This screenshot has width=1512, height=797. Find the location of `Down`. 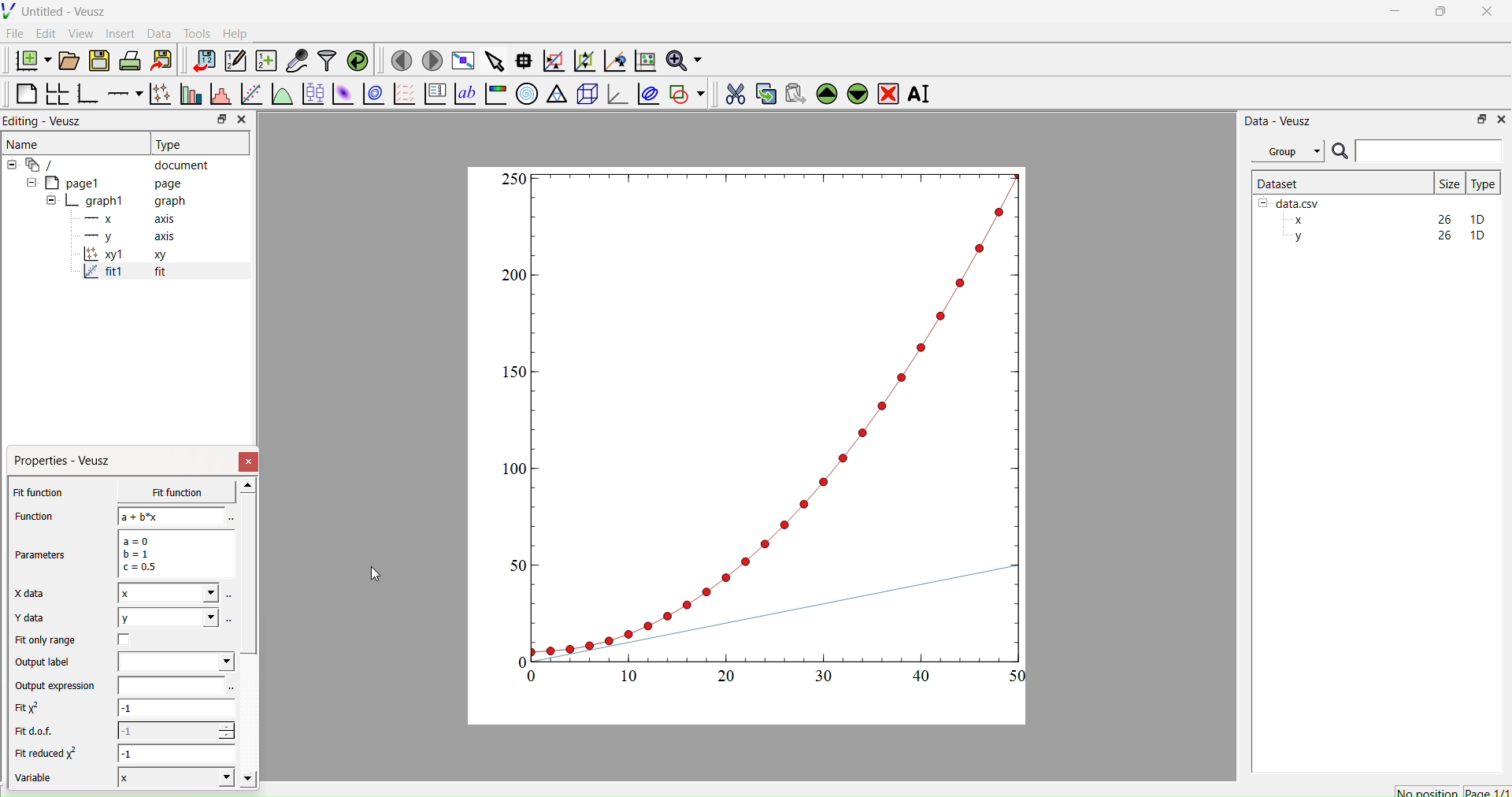

Down is located at coordinates (857, 91).